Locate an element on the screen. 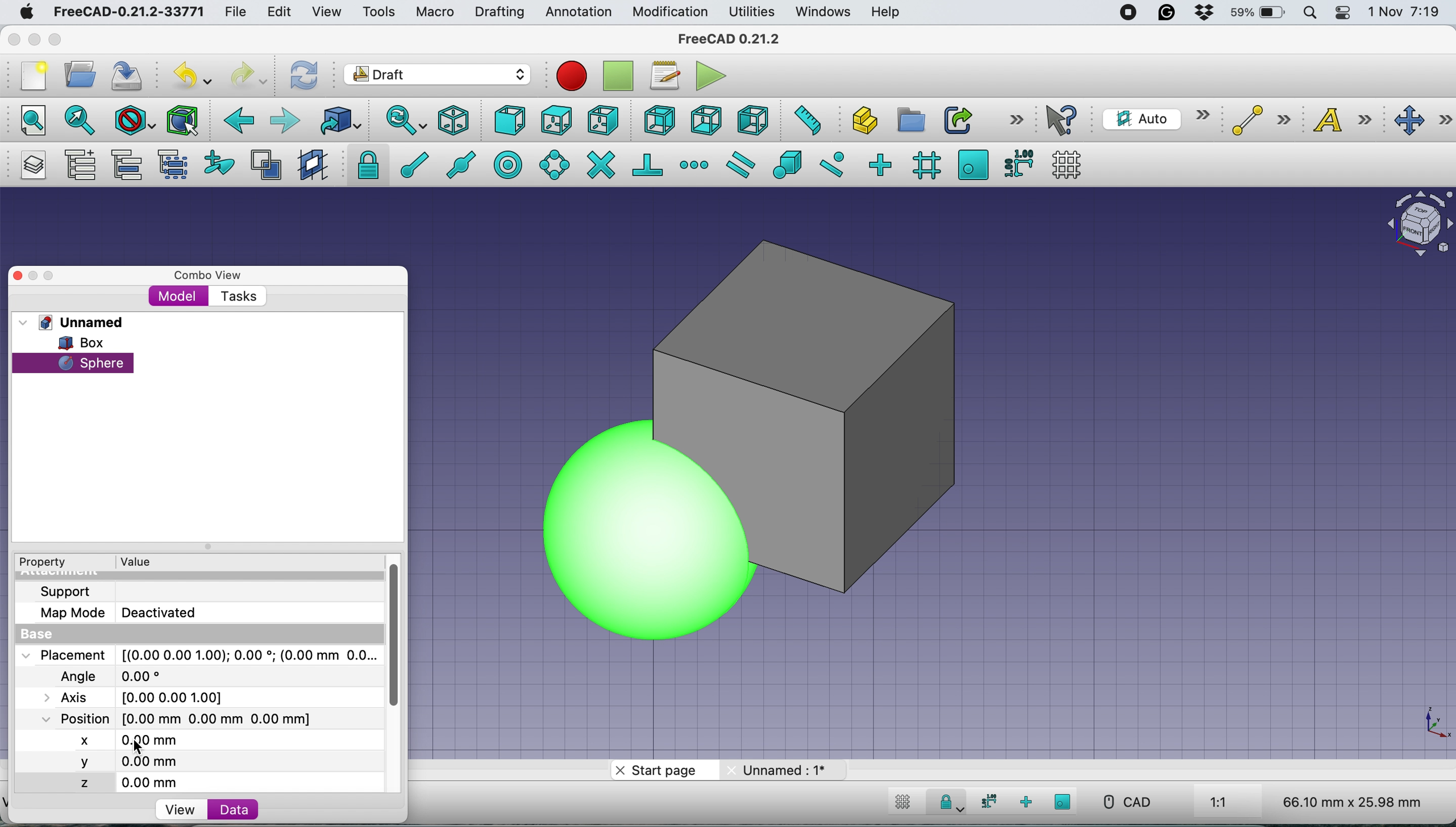 This screenshot has height=827, width=1456. battery is located at coordinates (1254, 14).